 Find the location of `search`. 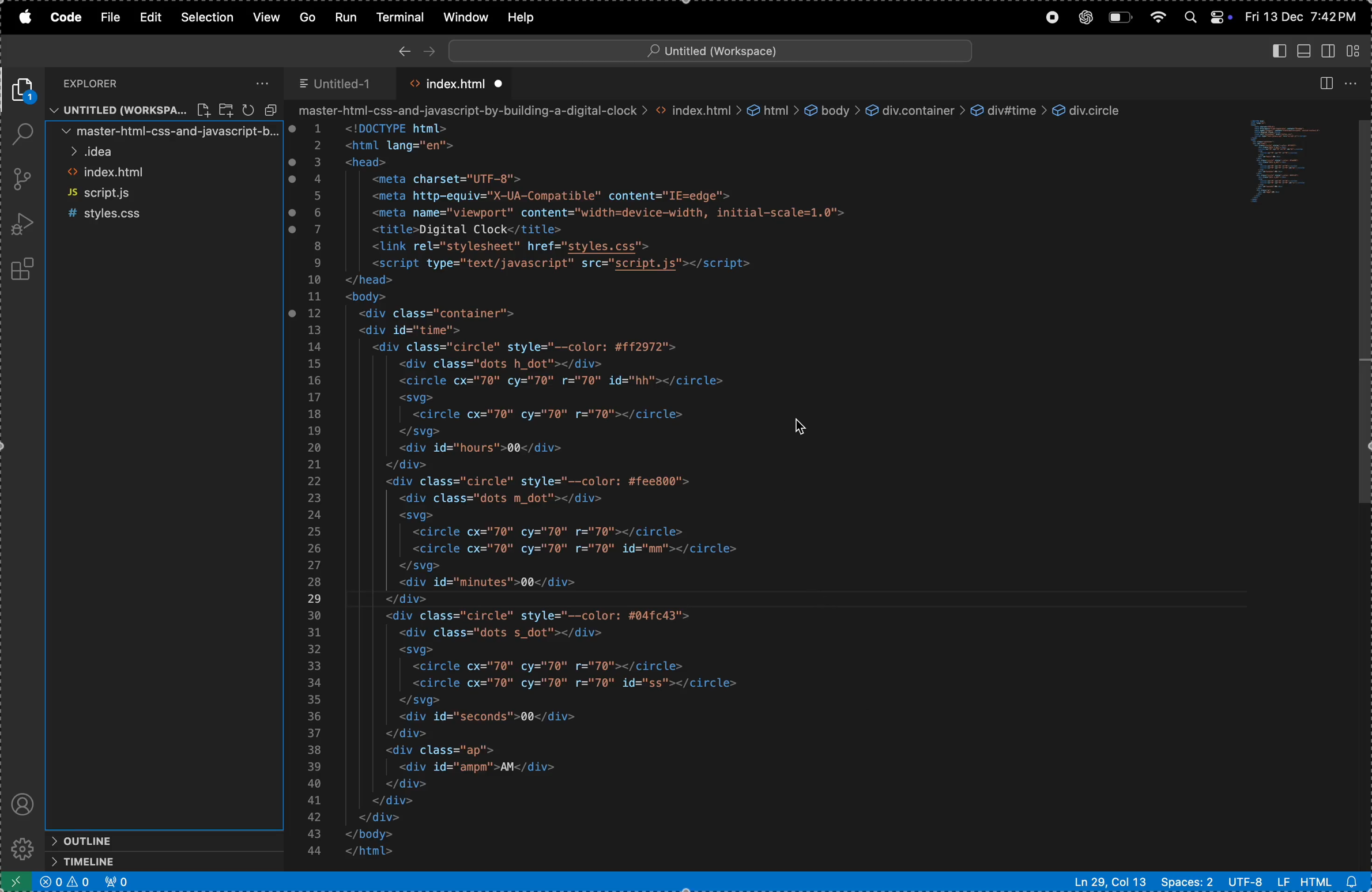

search is located at coordinates (22, 135).